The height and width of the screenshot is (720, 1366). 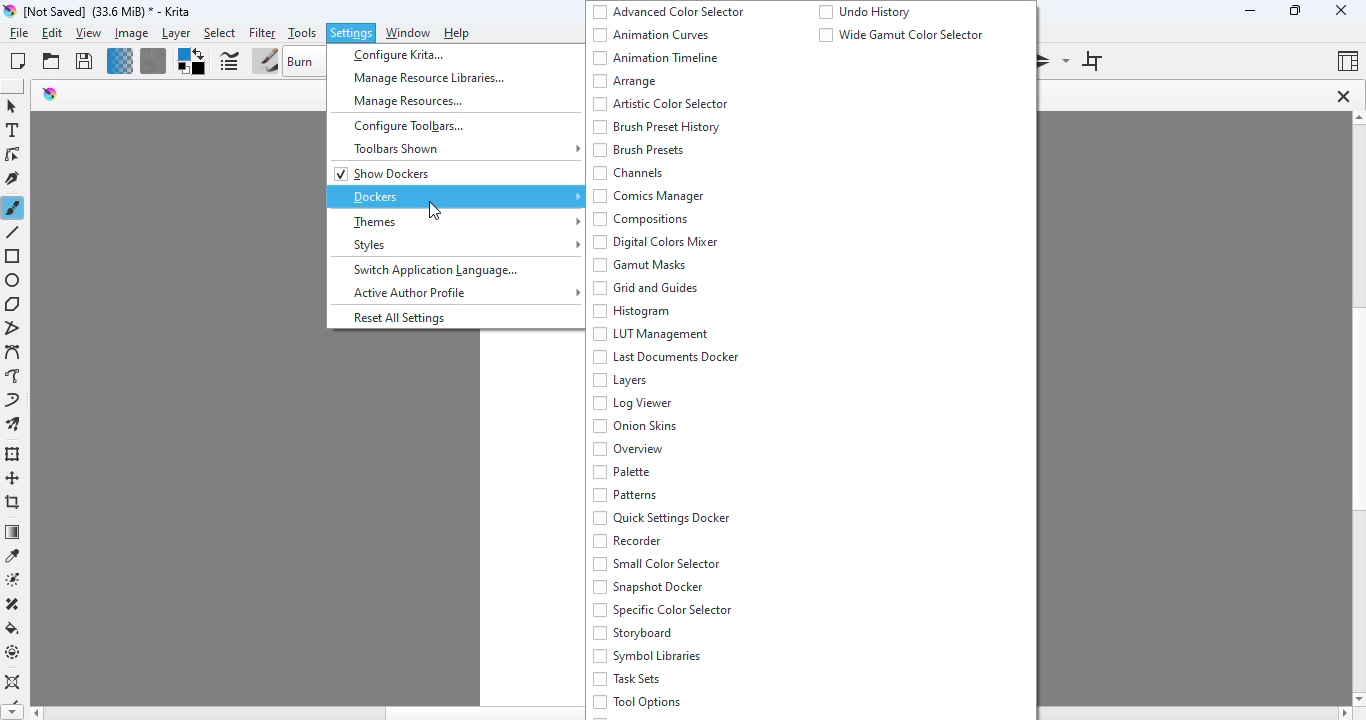 I want to click on sample a color from the image or current layer, so click(x=13, y=555).